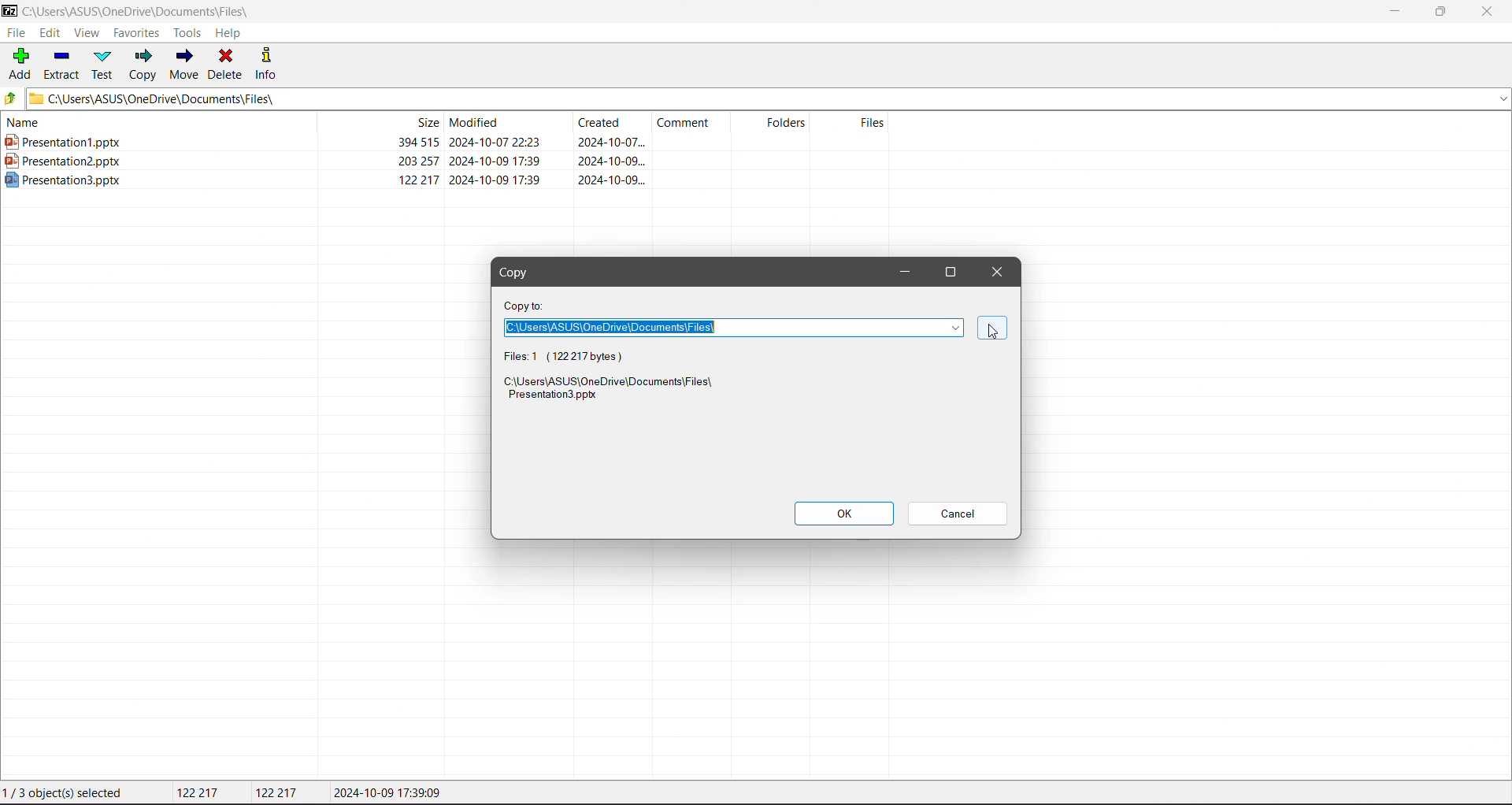 Image resolution: width=1512 pixels, height=805 pixels. What do you see at coordinates (991, 328) in the screenshot?
I see `cursor` at bounding box center [991, 328].